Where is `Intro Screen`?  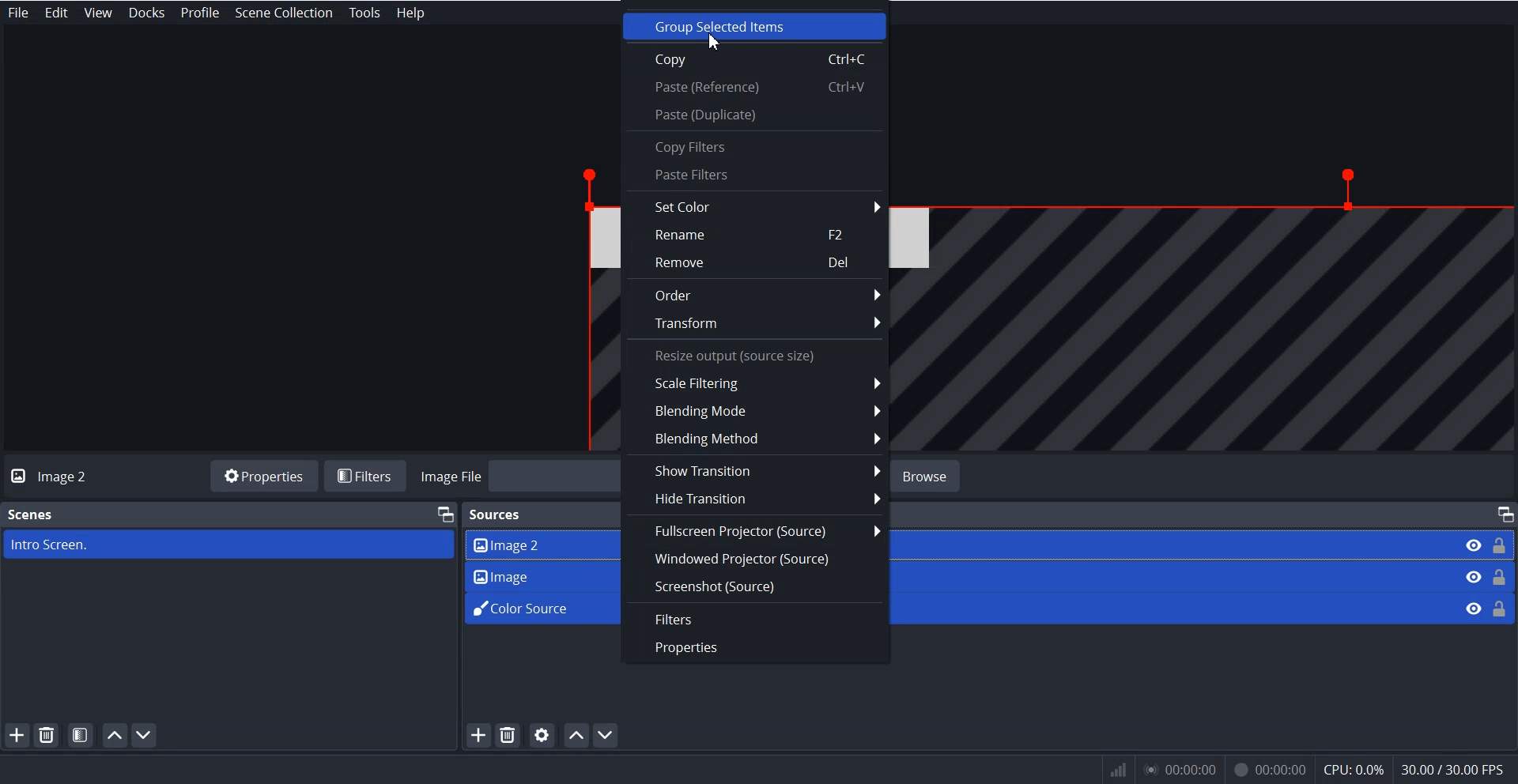
Intro Screen is located at coordinates (228, 545).